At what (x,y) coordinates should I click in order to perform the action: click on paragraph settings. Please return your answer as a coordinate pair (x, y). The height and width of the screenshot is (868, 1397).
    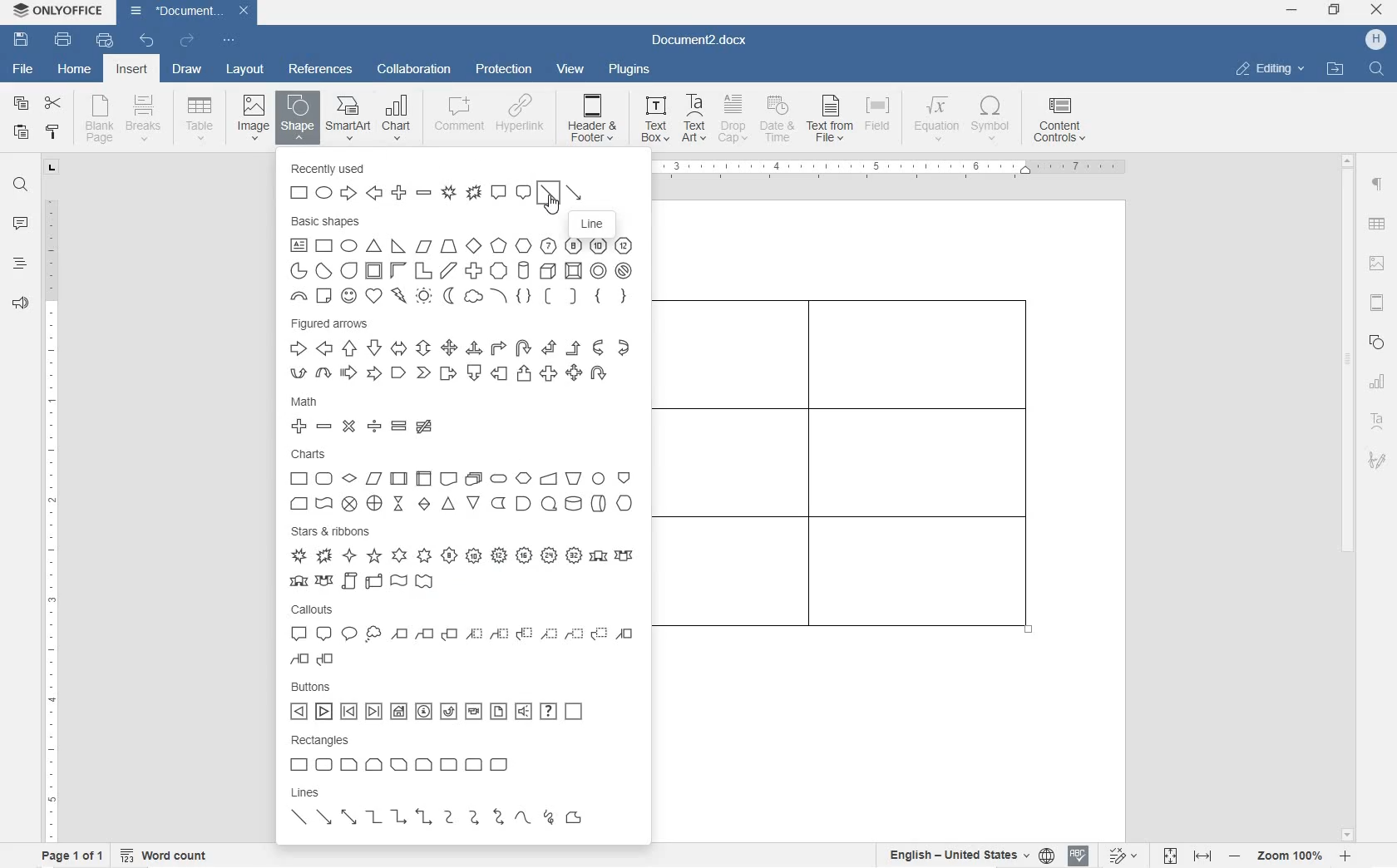
    Looking at the image, I should click on (1378, 185).